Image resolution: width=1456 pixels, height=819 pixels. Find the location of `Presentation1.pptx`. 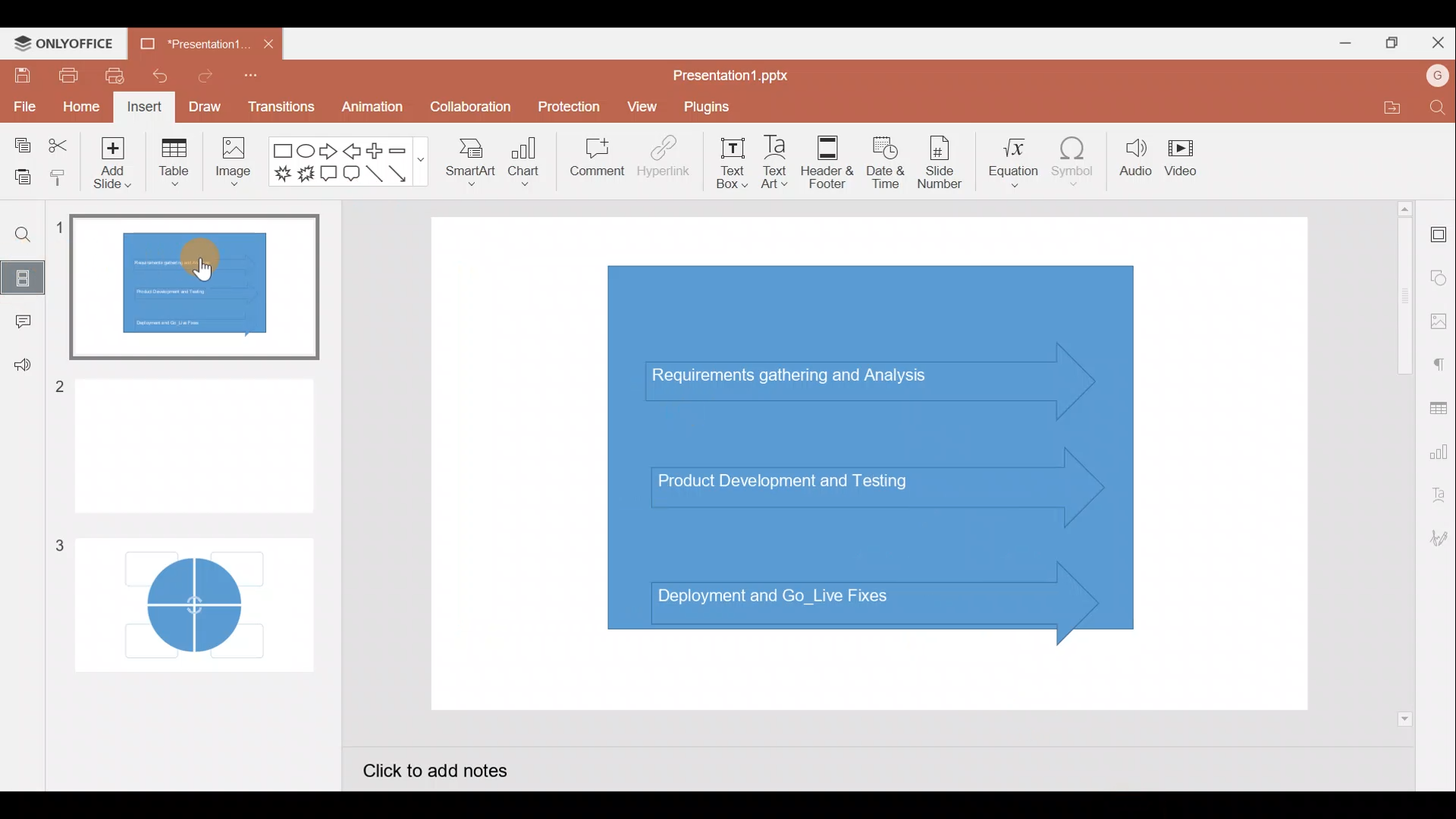

Presentation1.pptx is located at coordinates (734, 75).